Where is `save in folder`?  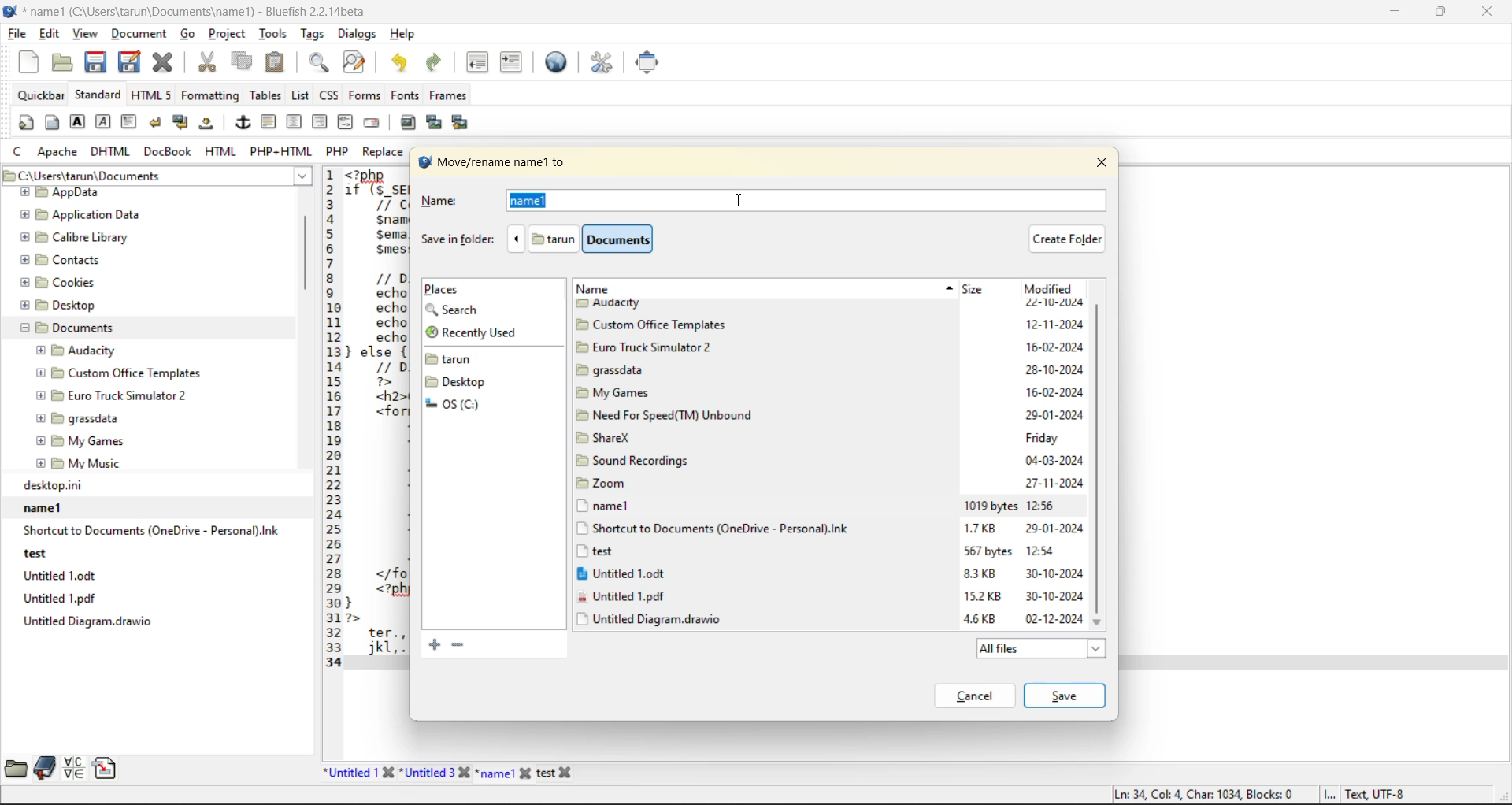
save in folder is located at coordinates (452, 239).